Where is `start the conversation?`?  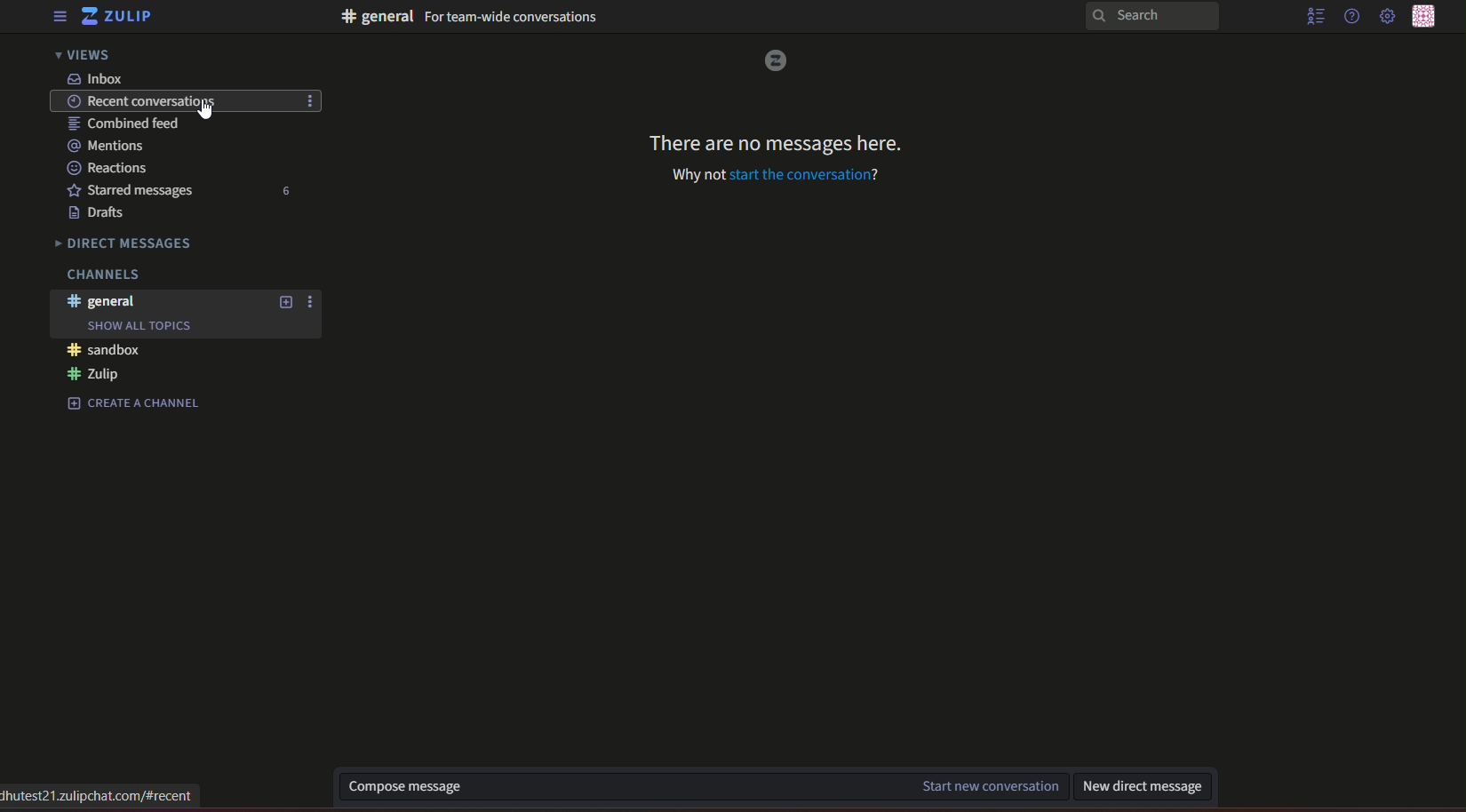
start the conversation? is located at coordinates (807, 174).